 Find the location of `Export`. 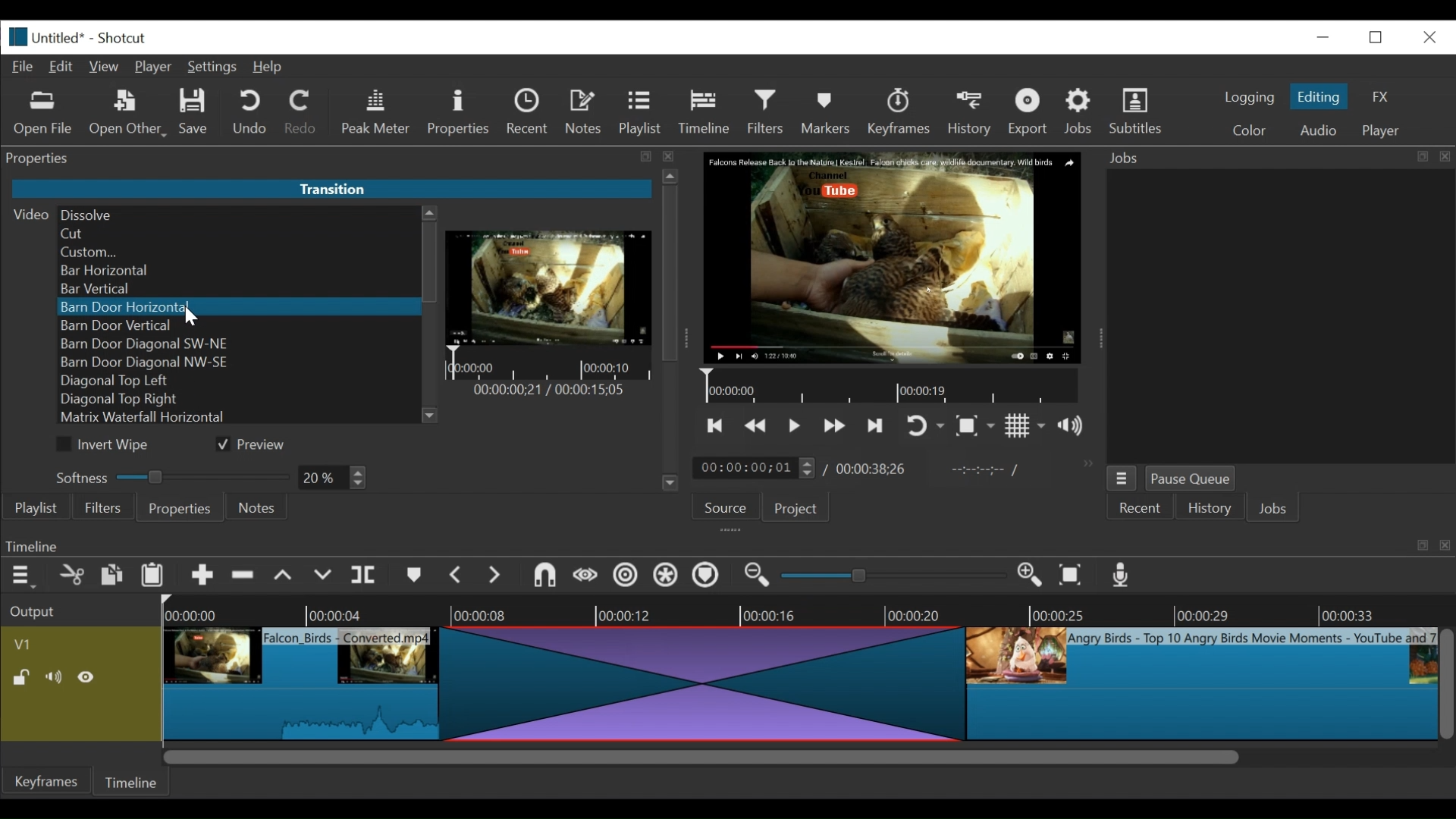

Export is located at coordinates (1031, 114).